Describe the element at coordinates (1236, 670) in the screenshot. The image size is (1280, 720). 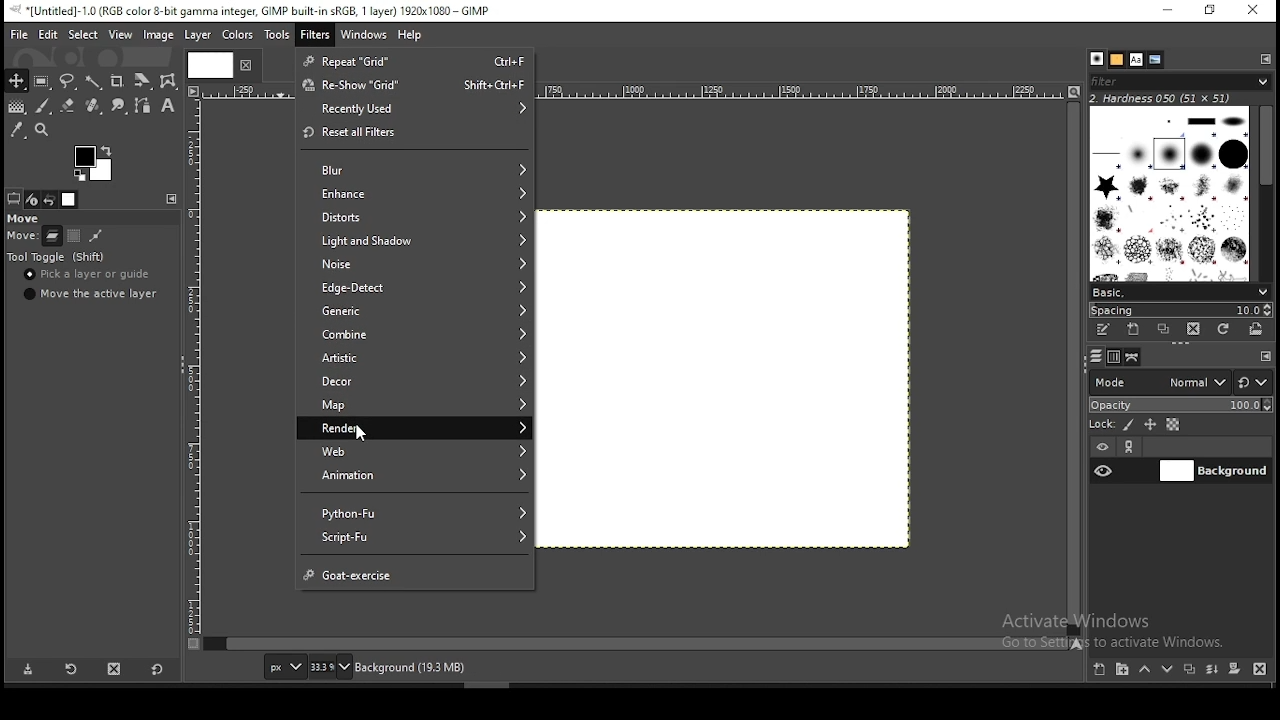
I see `add a mask` at that location.